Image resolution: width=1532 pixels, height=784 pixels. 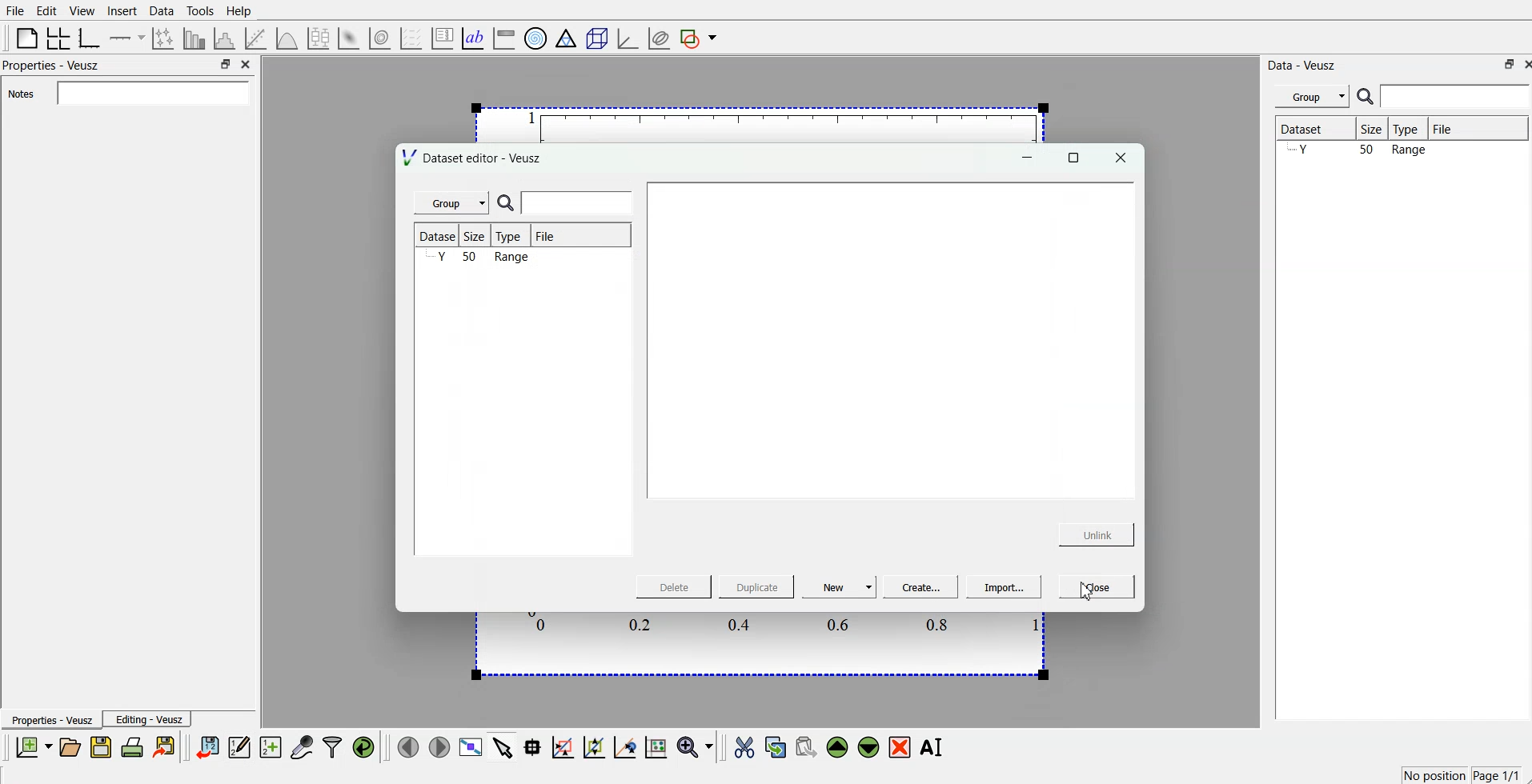 I want to click on plot box plots, so click(x=321, y=38).